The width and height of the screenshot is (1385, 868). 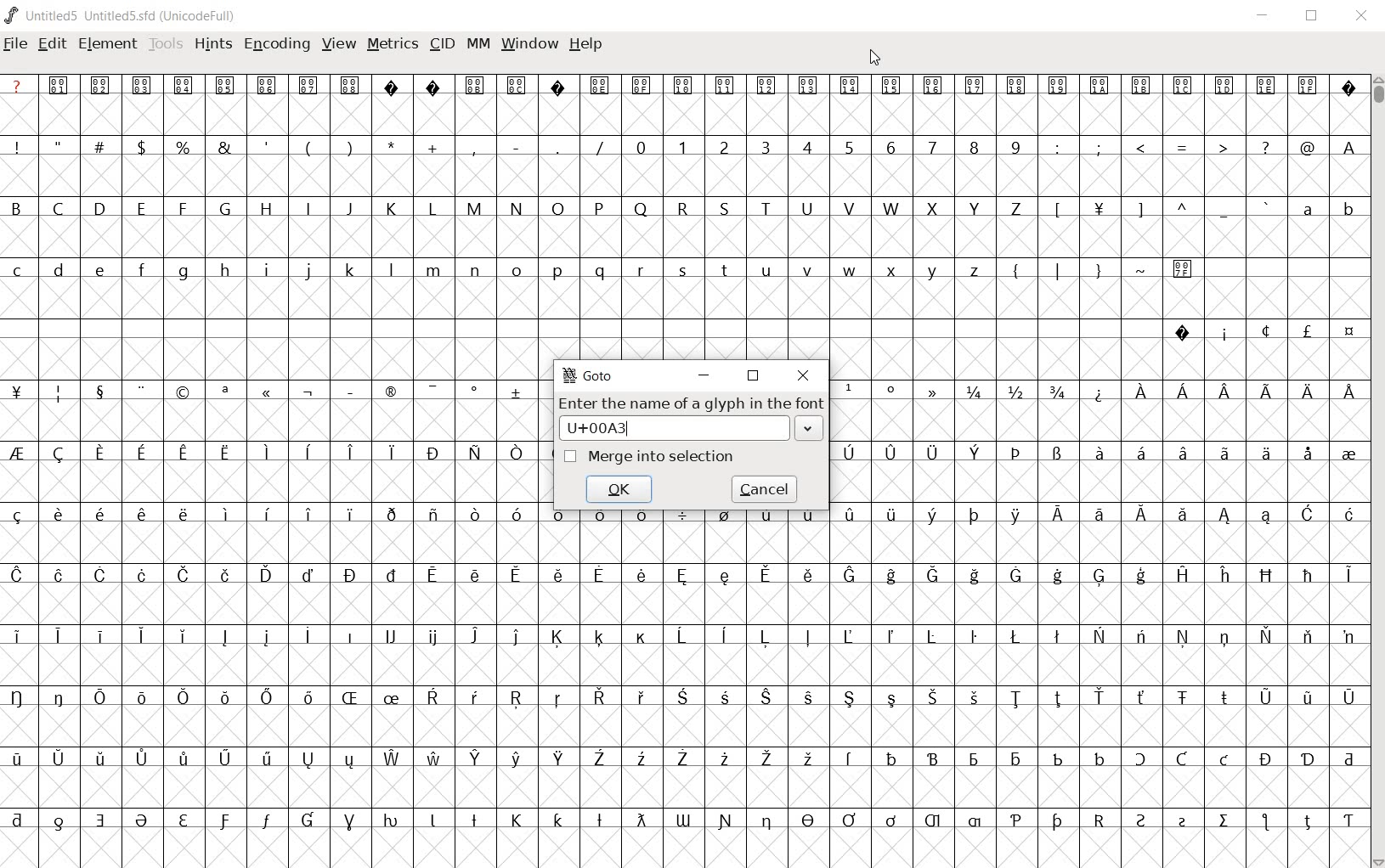 What do you see at coordinates (807, 638) in the screenshot?
I see `Symbol` at bounding box center [807, 638].